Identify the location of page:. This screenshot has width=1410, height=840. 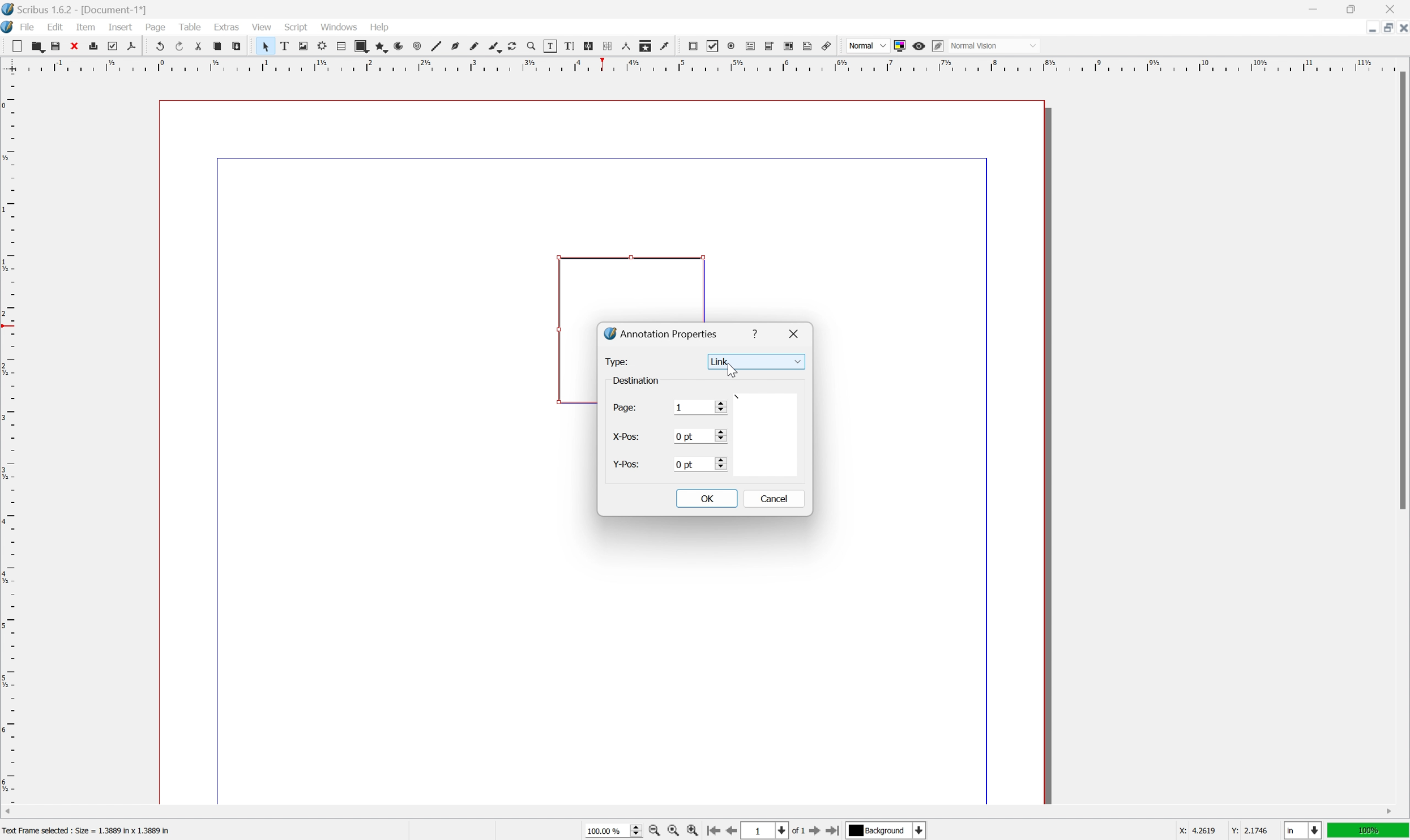
(625, 410).